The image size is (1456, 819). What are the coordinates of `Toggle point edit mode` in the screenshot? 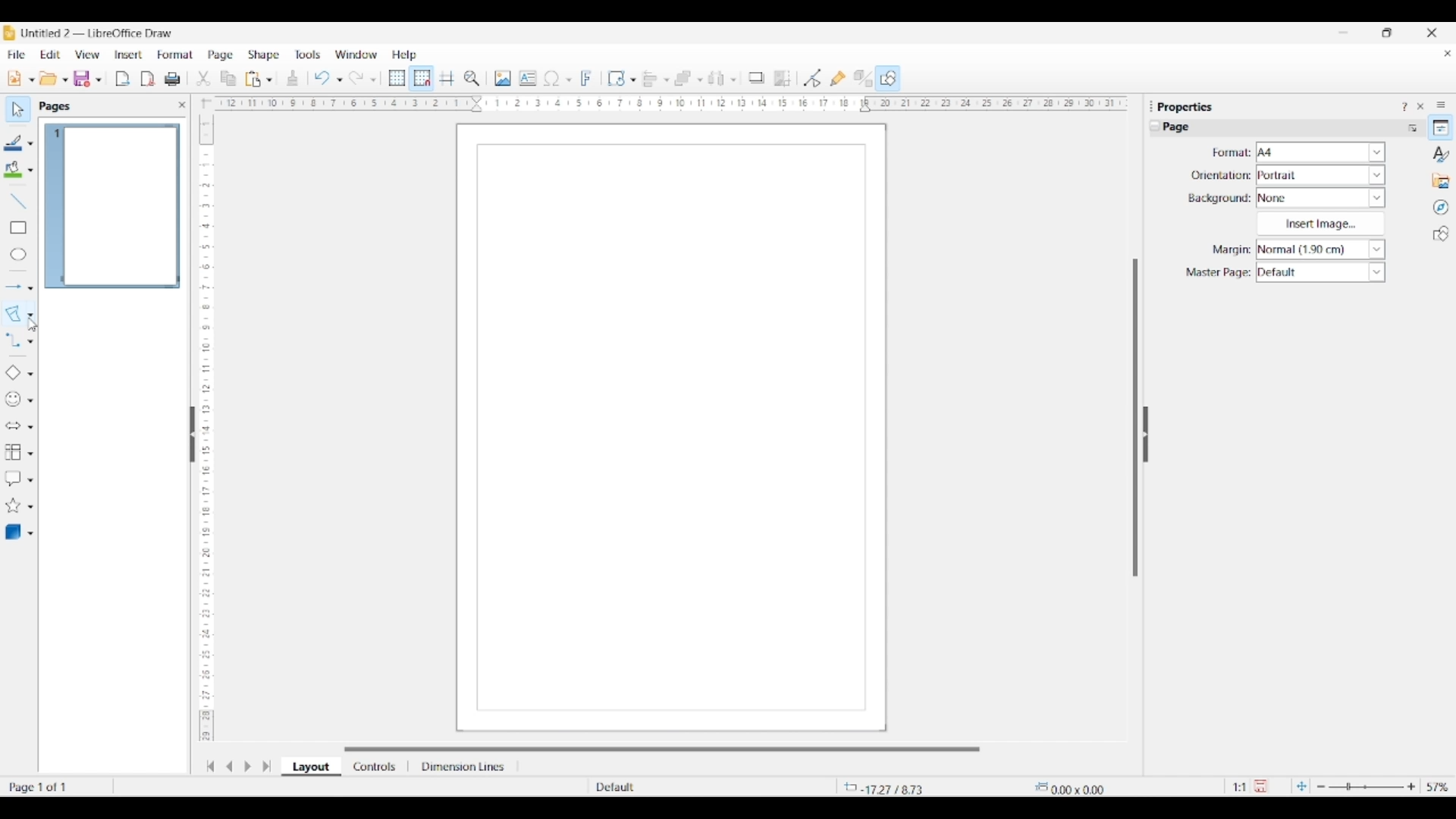 It's located at (813, 79).